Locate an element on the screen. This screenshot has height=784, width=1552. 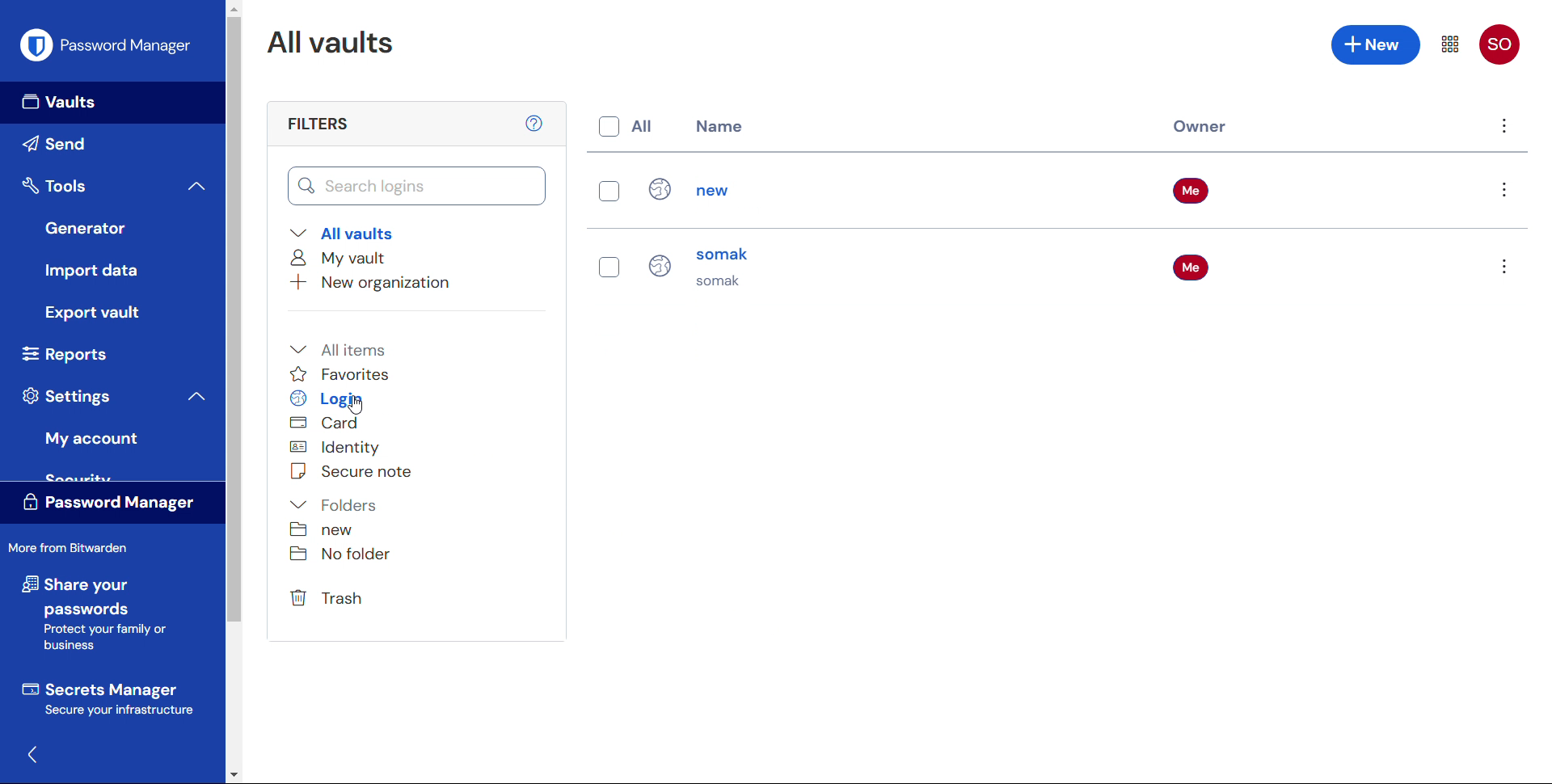
Hide sidebar  is located at coordinates (37, 757).